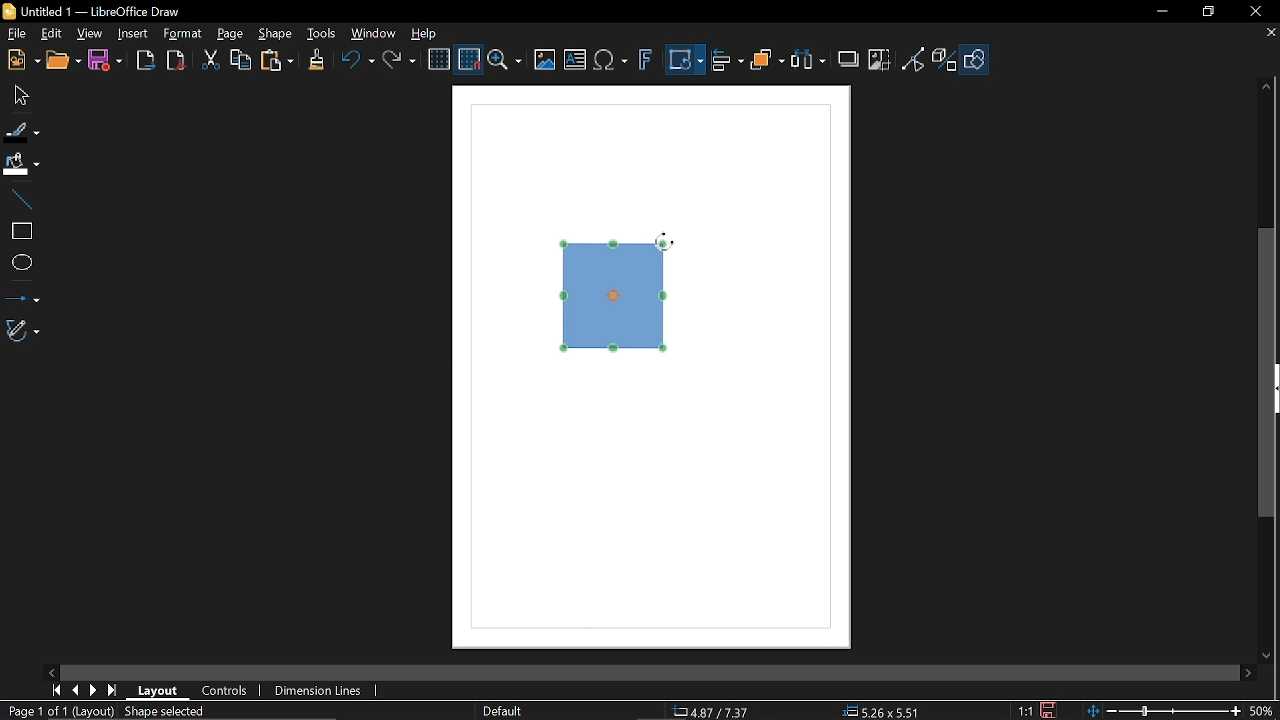 The height and width of the screenshot is (720, 1280). What do you see at coordinates (767, 62) in the screenshot?
I see `Arrange` at bounding box center [767, 62].